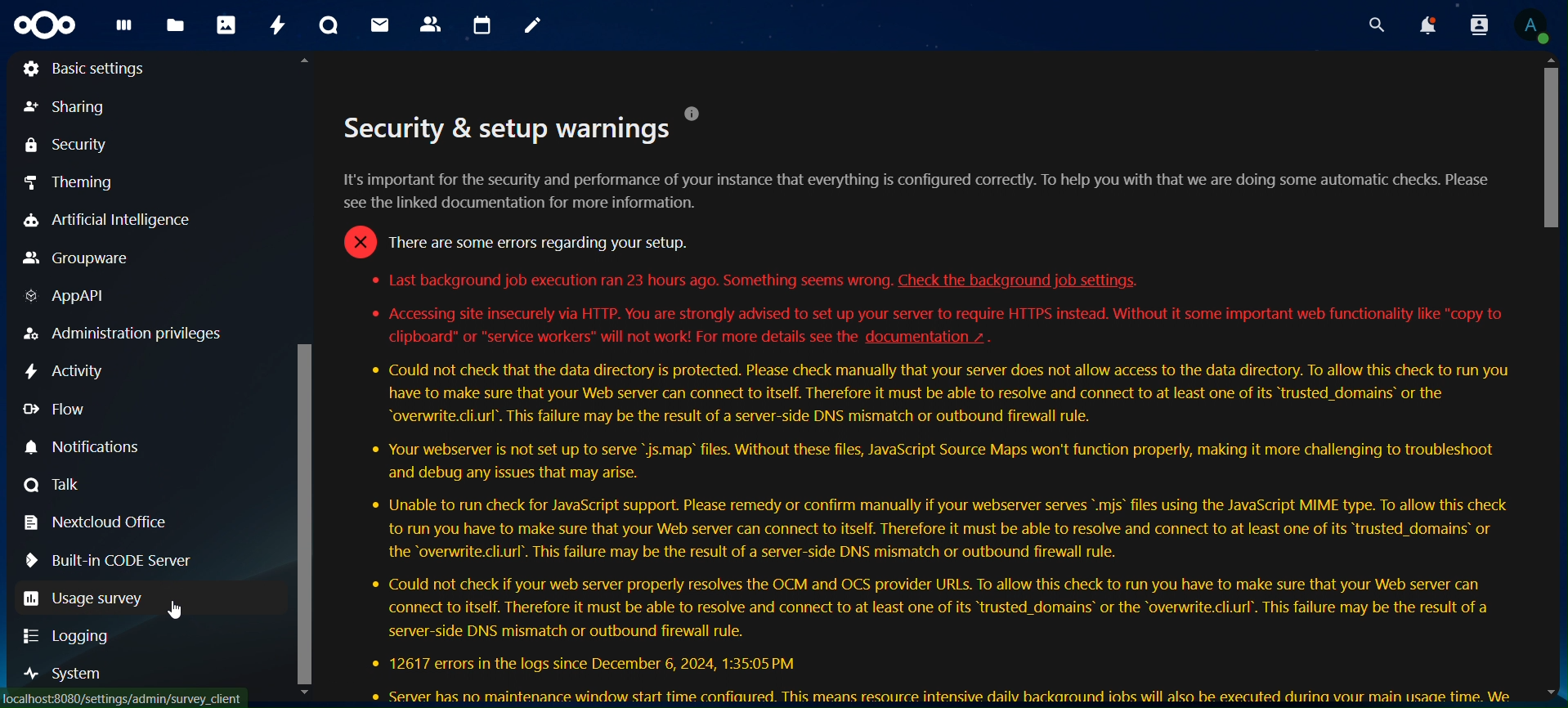  Describe the element at coordinates (483, 23) in the screenshot. I see `calendar` at that location.